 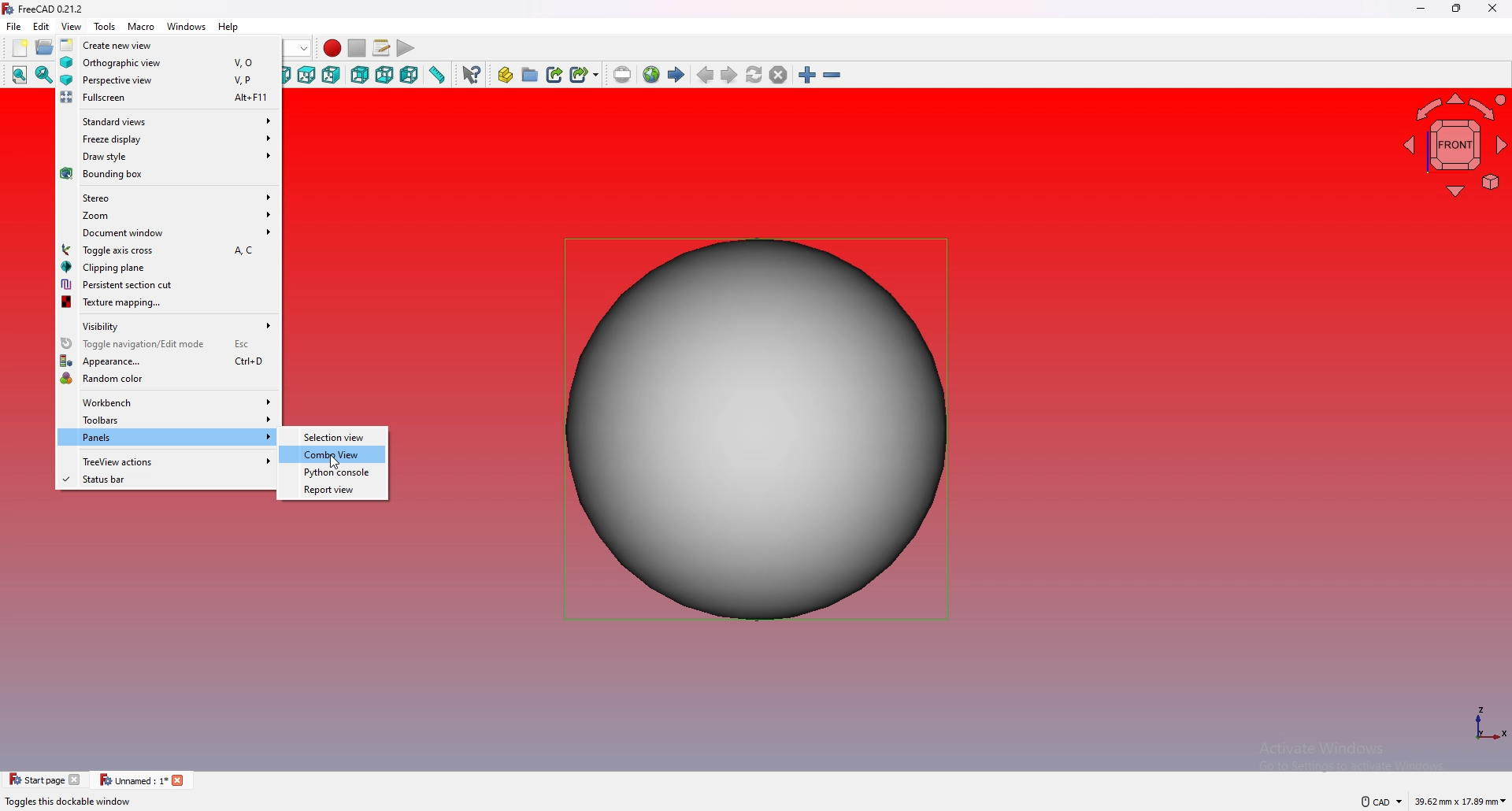 I want to click on left, so click(x=410, y=75).